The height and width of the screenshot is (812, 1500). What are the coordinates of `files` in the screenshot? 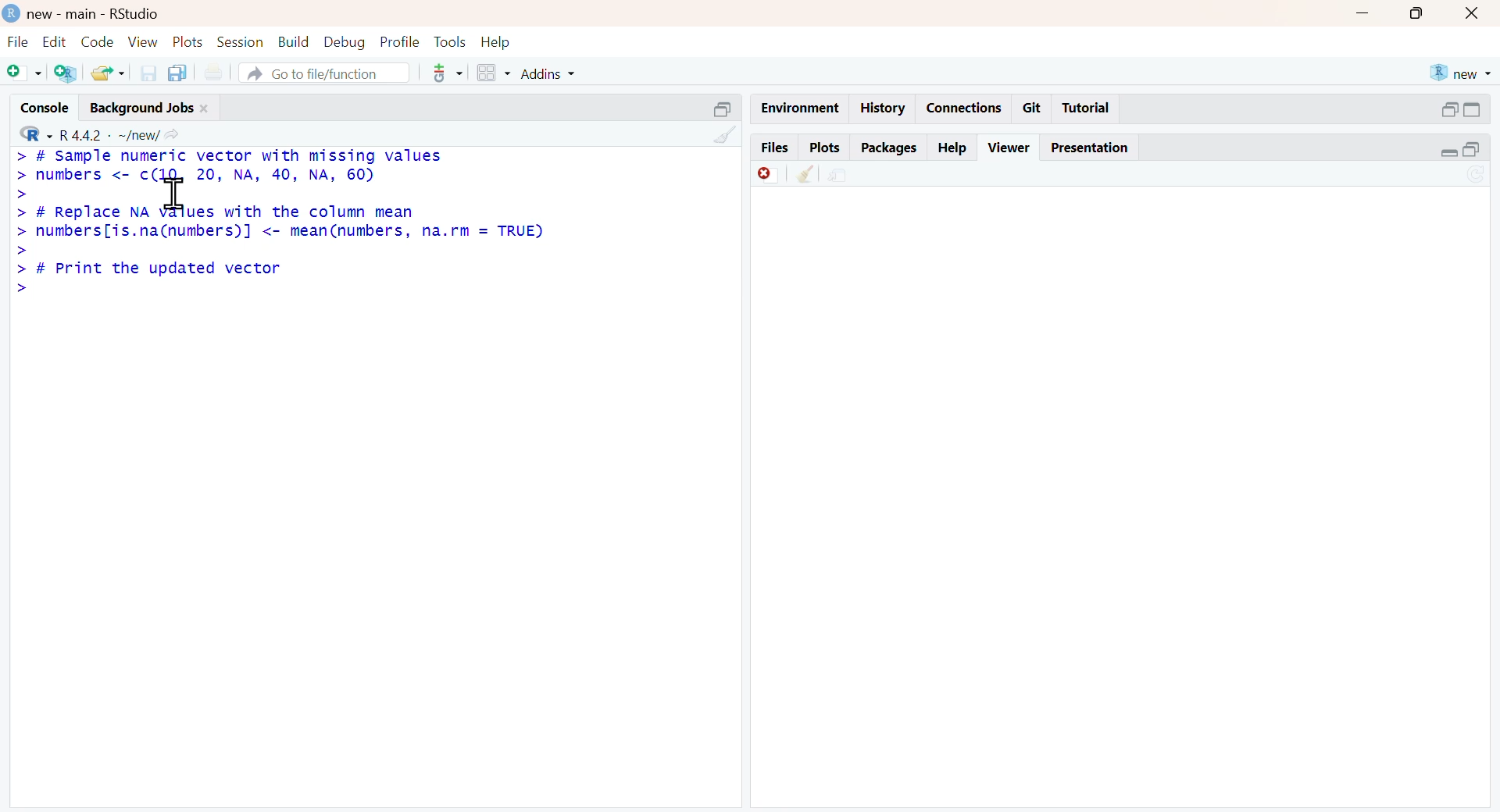 It's located at (775, 147).